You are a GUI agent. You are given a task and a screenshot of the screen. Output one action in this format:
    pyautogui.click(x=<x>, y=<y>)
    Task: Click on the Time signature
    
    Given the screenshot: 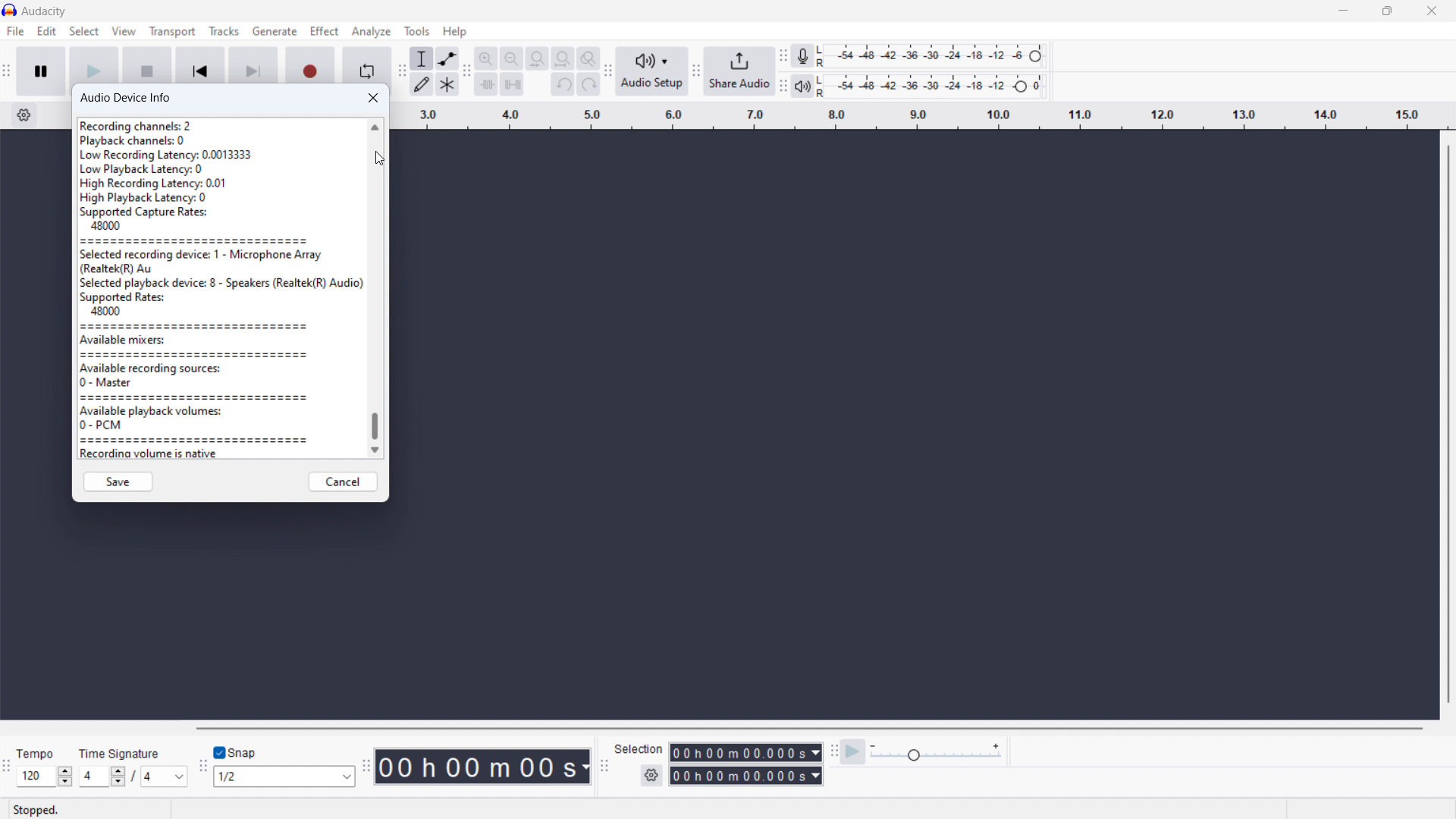 What is the action you would take?
    pyautogui.click(x=120, y=753)
    